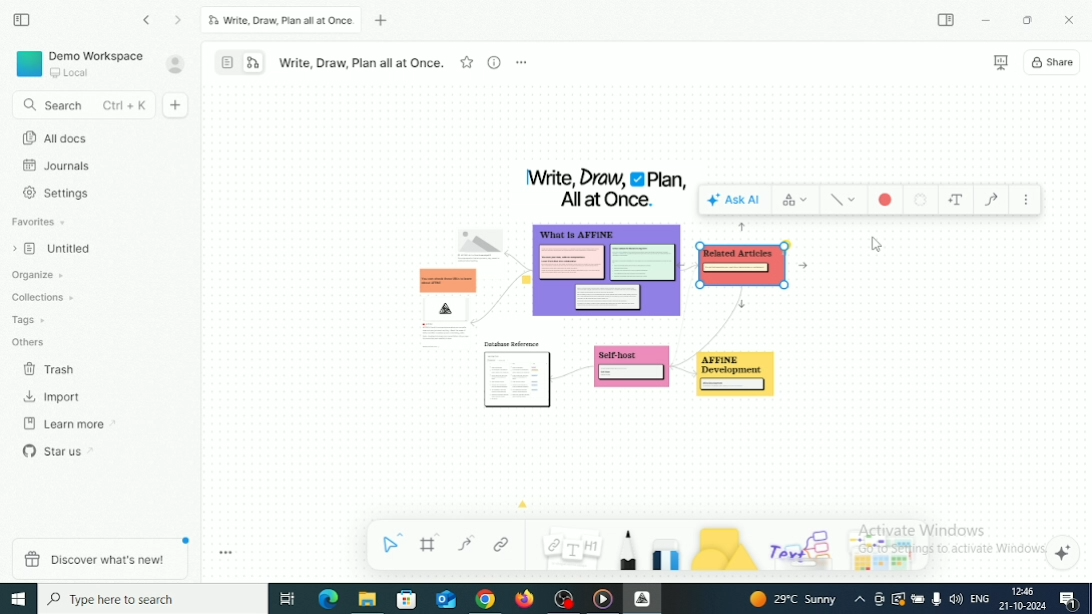 The width and height of the screenshot is (1092, 614). What do you see at coordinates (81, 63) in the screenshot?
I see `Demo Workspace` at bounding box center [81, 63].